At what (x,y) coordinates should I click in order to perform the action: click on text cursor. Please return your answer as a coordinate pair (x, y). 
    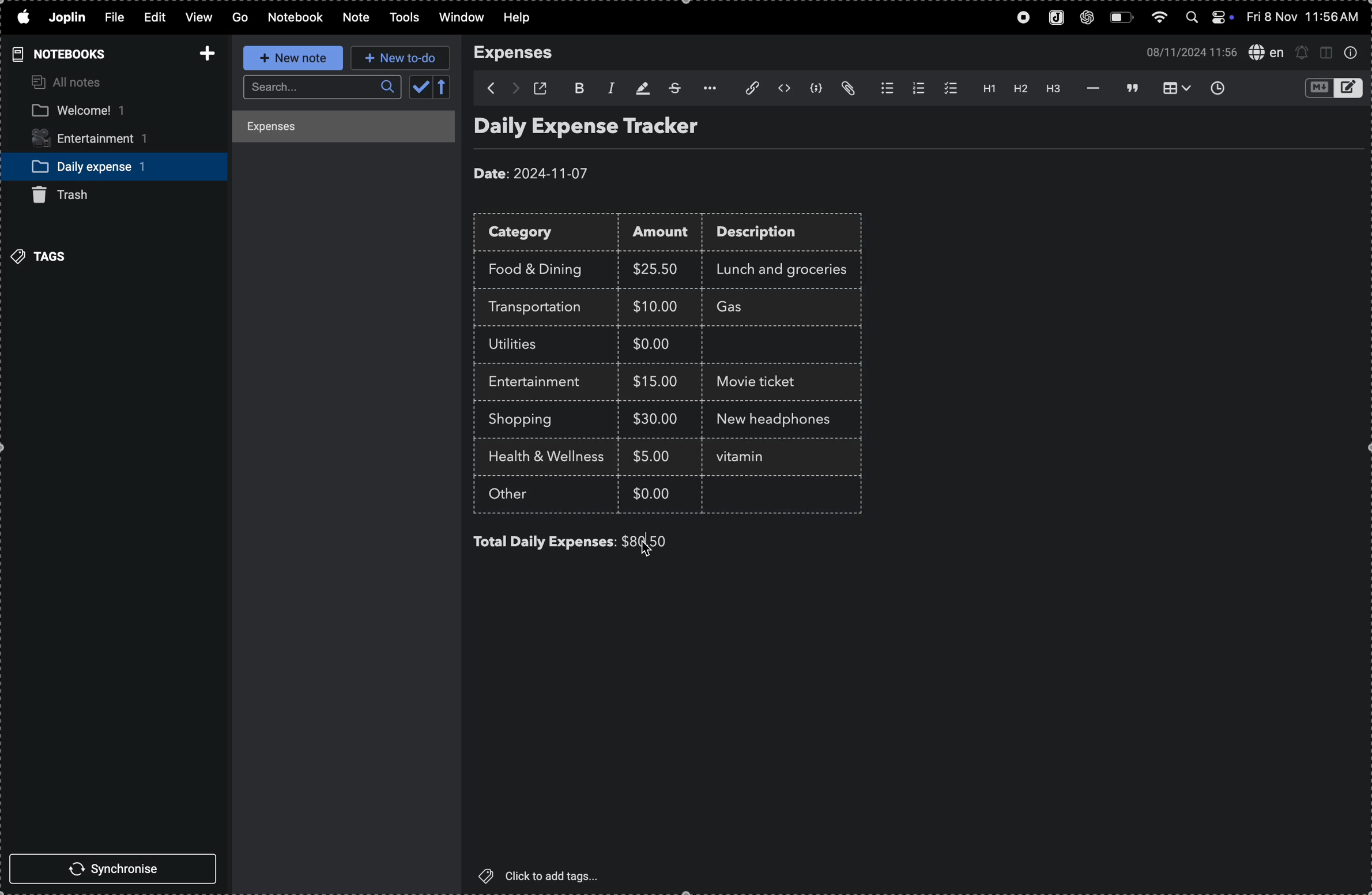
    Looking at the image, I should click on (738, 458).